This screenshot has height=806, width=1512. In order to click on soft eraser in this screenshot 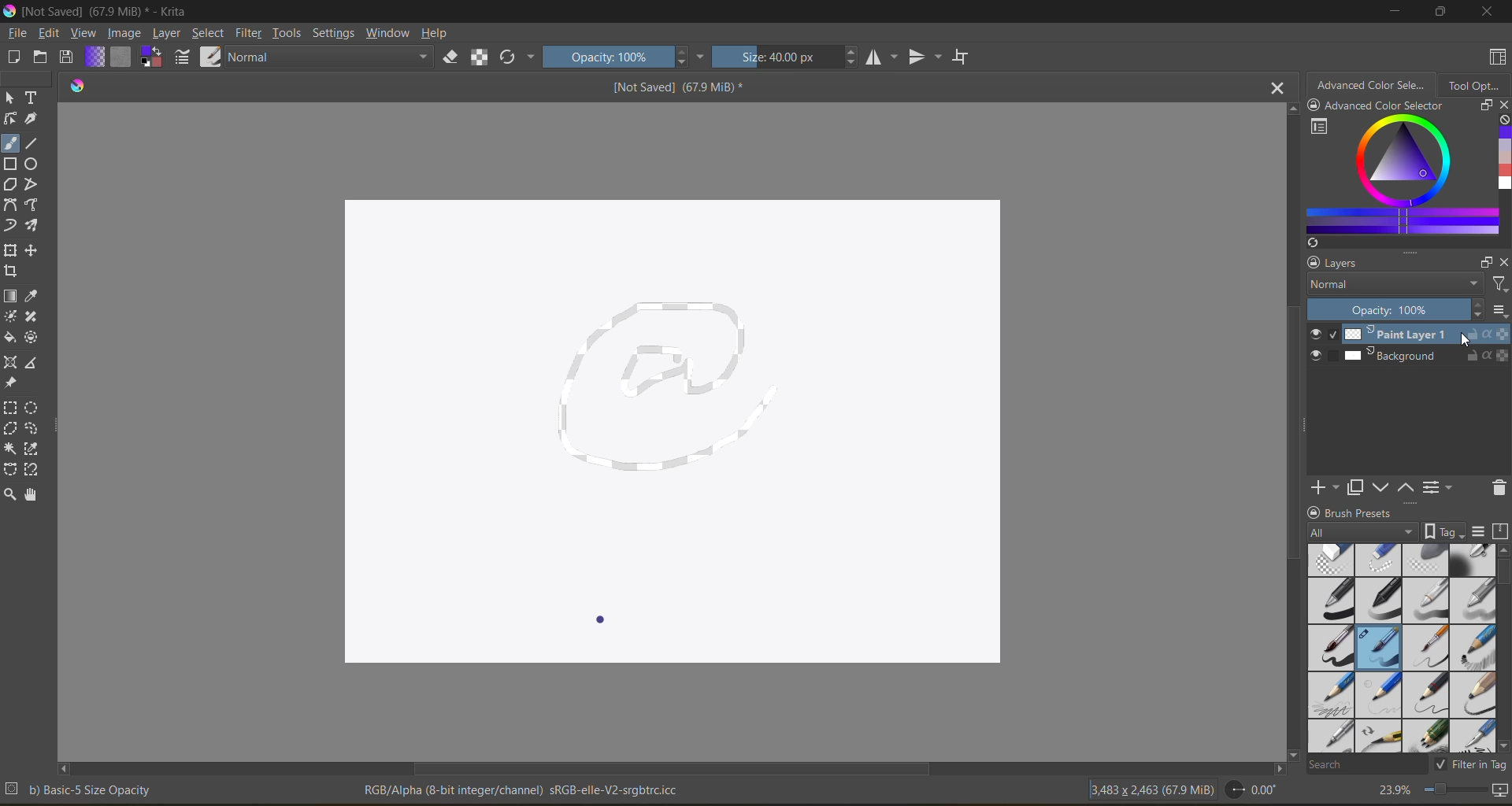, I will do `click(1425, 560)`.